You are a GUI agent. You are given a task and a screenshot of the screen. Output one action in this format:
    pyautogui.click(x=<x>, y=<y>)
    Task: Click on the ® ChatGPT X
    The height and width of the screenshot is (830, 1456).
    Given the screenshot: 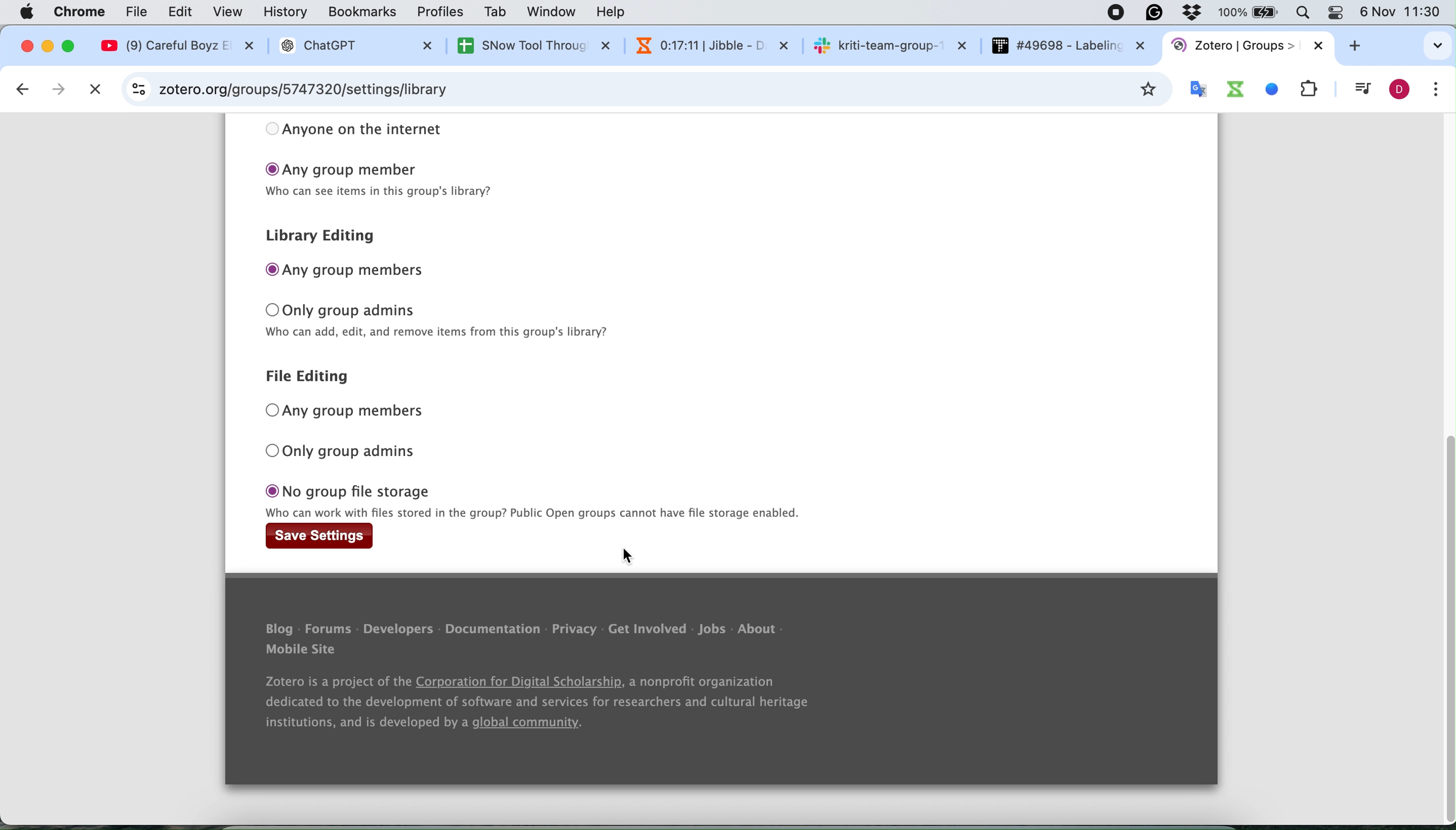 What is the action you would take?
    pyautogui.click(x=353, y=46)
    